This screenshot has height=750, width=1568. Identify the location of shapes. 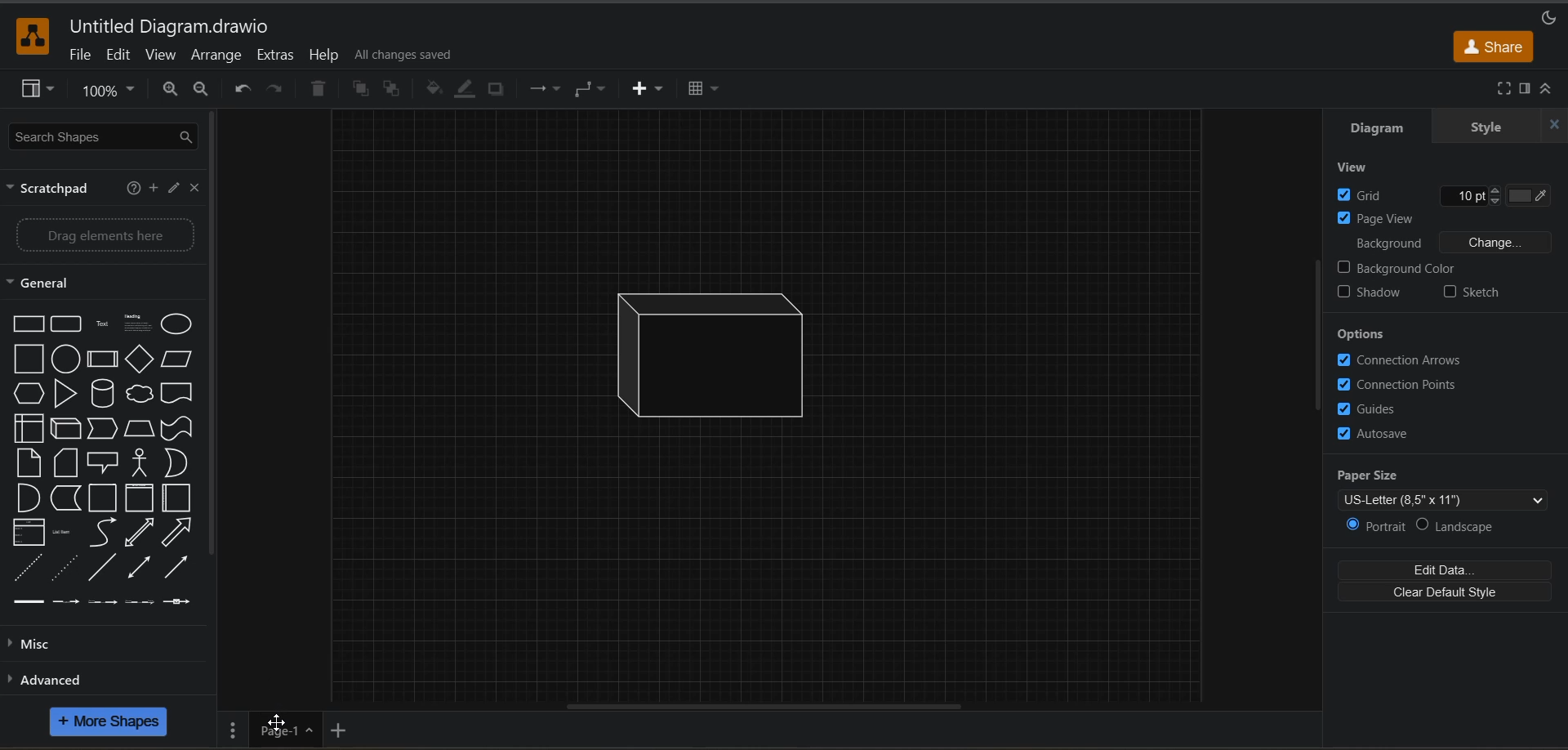
(101, 460).